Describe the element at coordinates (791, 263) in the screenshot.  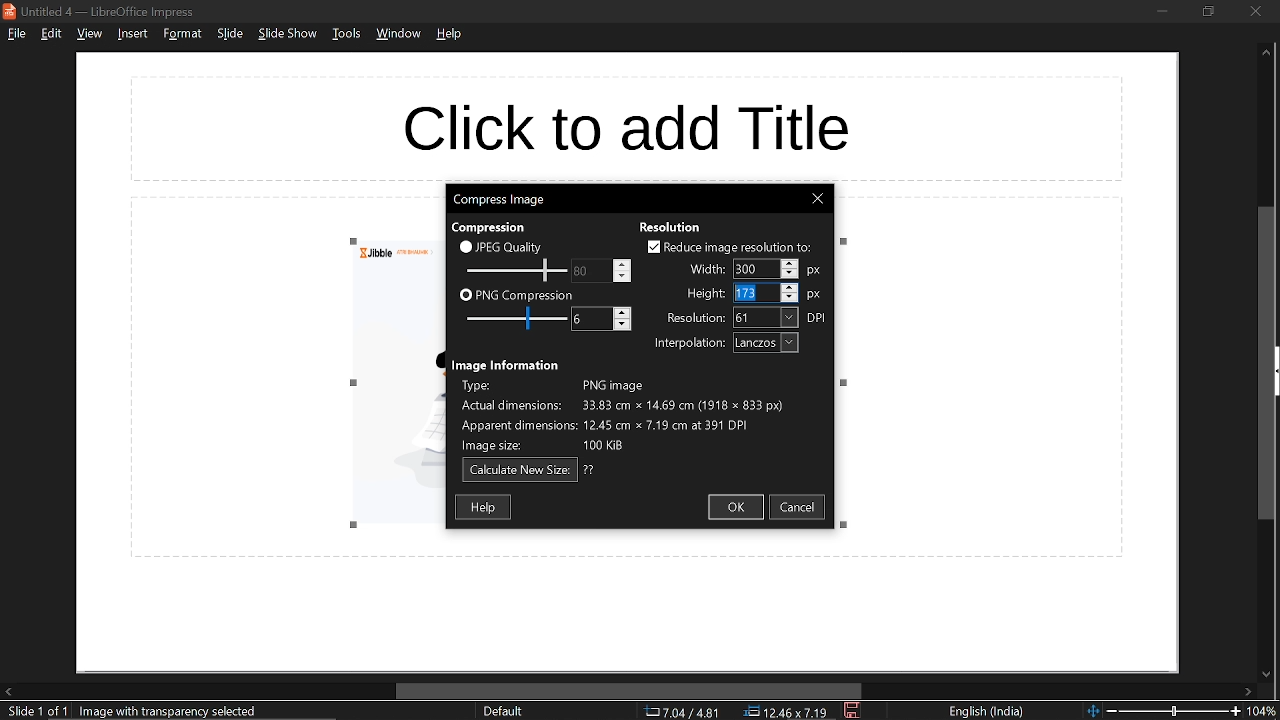
I see `Increase ` at that location.